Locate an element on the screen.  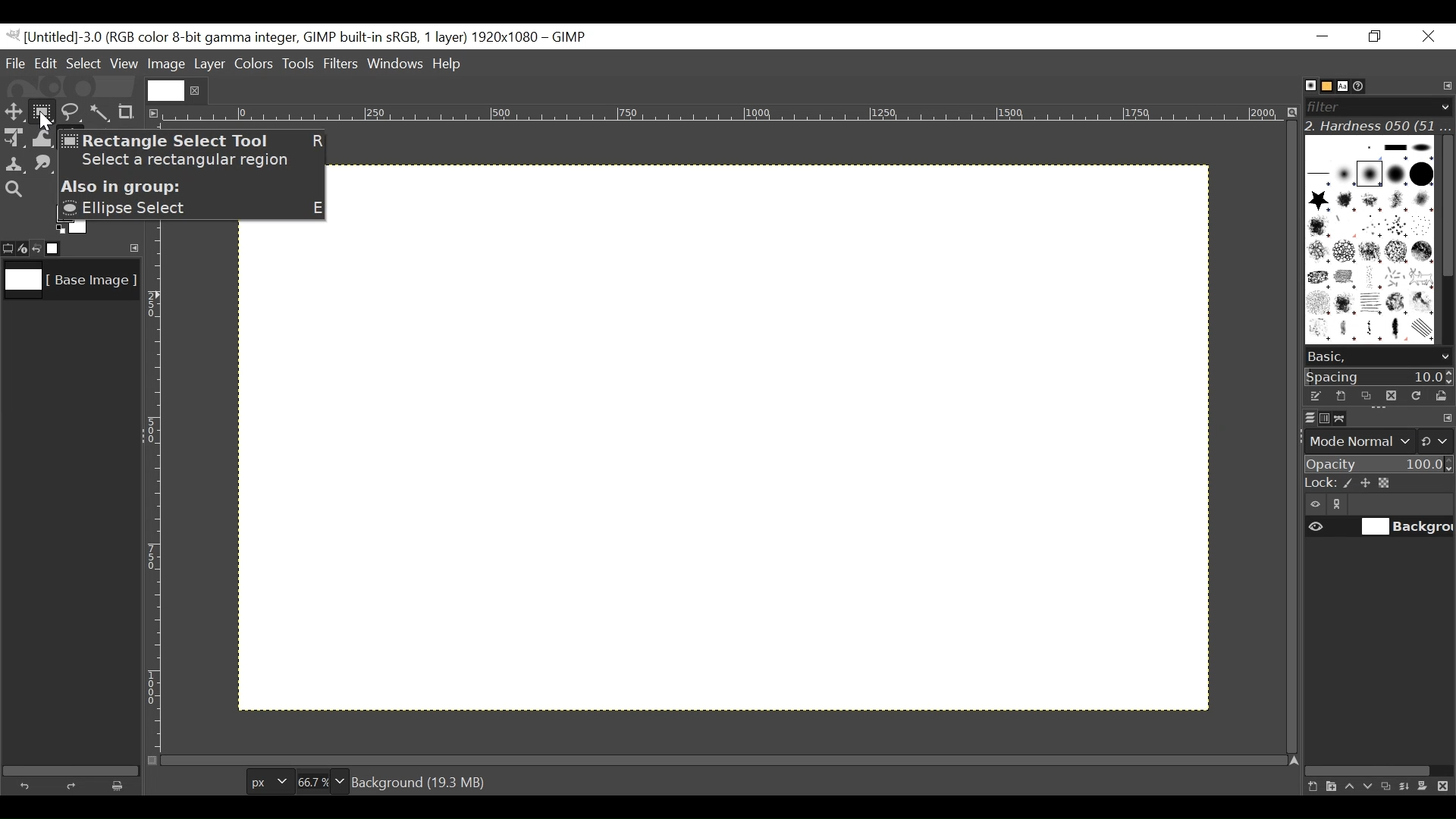
merge the layer is located at coordinates (1408, 786).